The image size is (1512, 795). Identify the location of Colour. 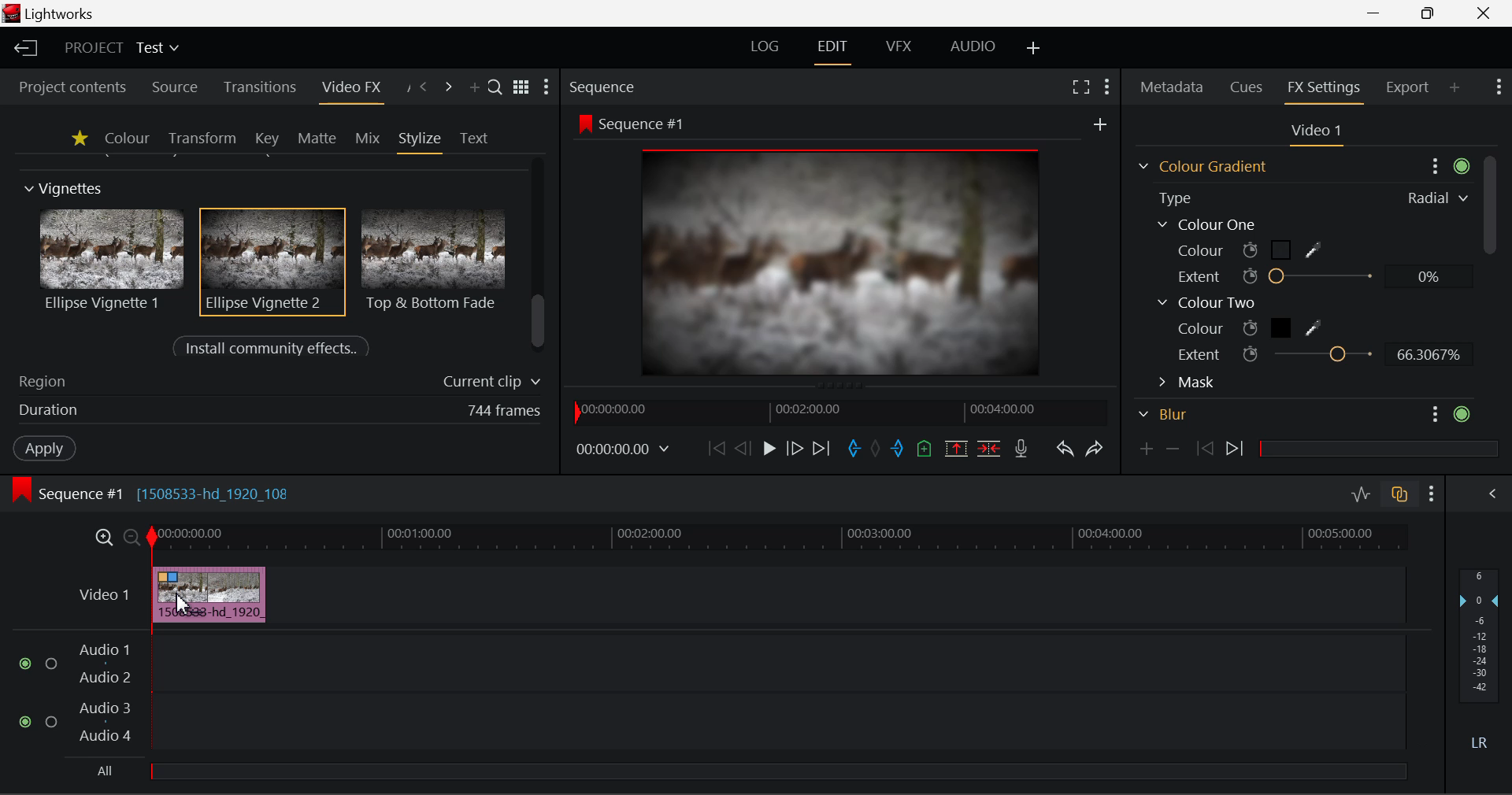
(126, 138).